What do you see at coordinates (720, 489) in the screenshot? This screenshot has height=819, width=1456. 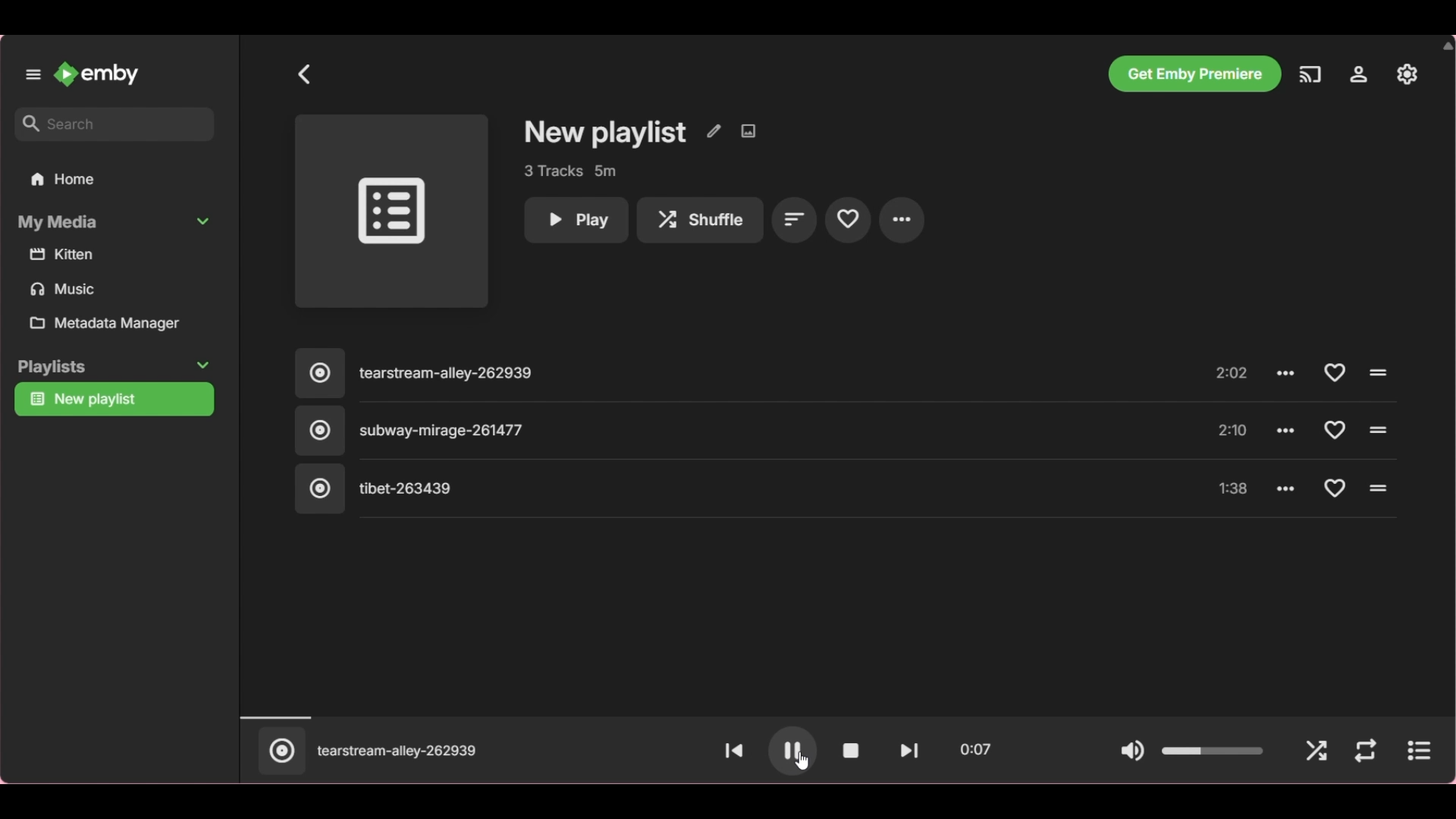 I see `Song 3, click to play` at bounding box center [720, 489].